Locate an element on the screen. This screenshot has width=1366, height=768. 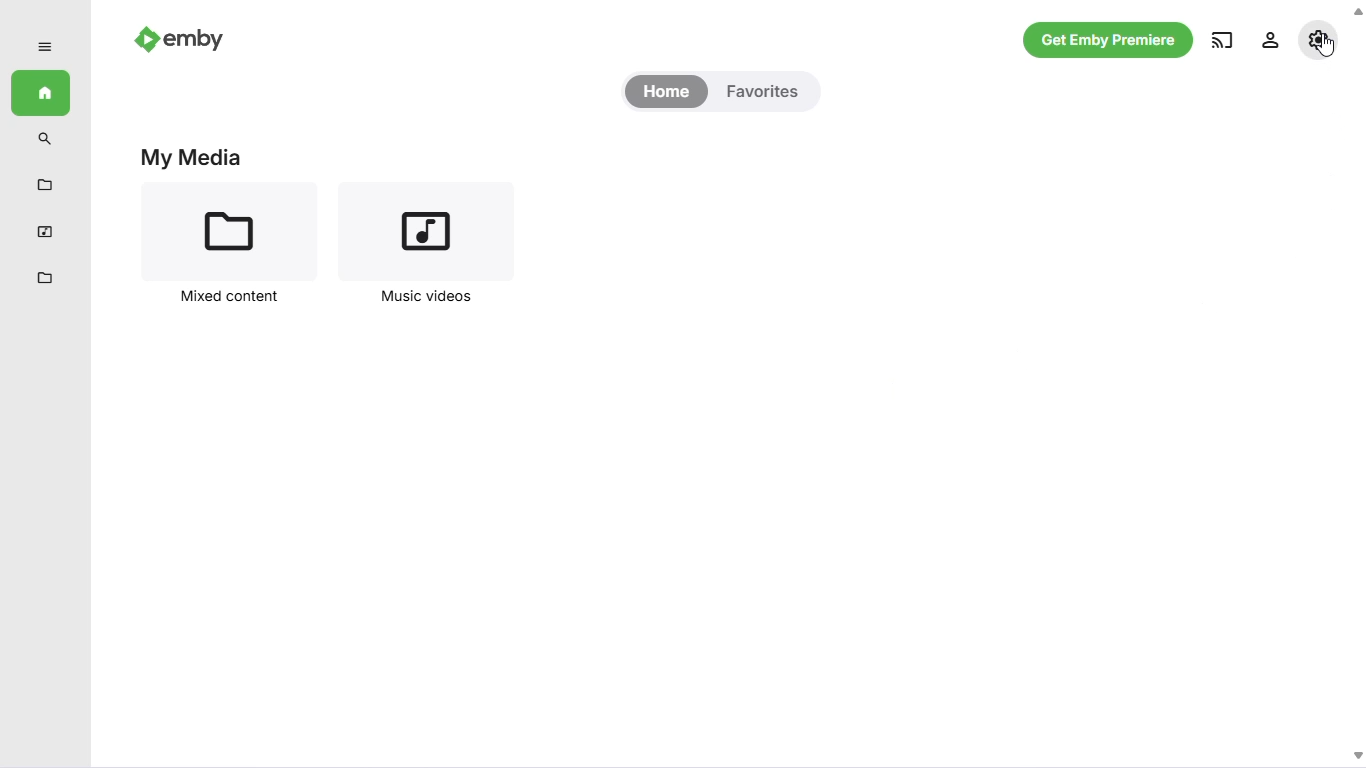
emby is located at coordinates (181, 38).